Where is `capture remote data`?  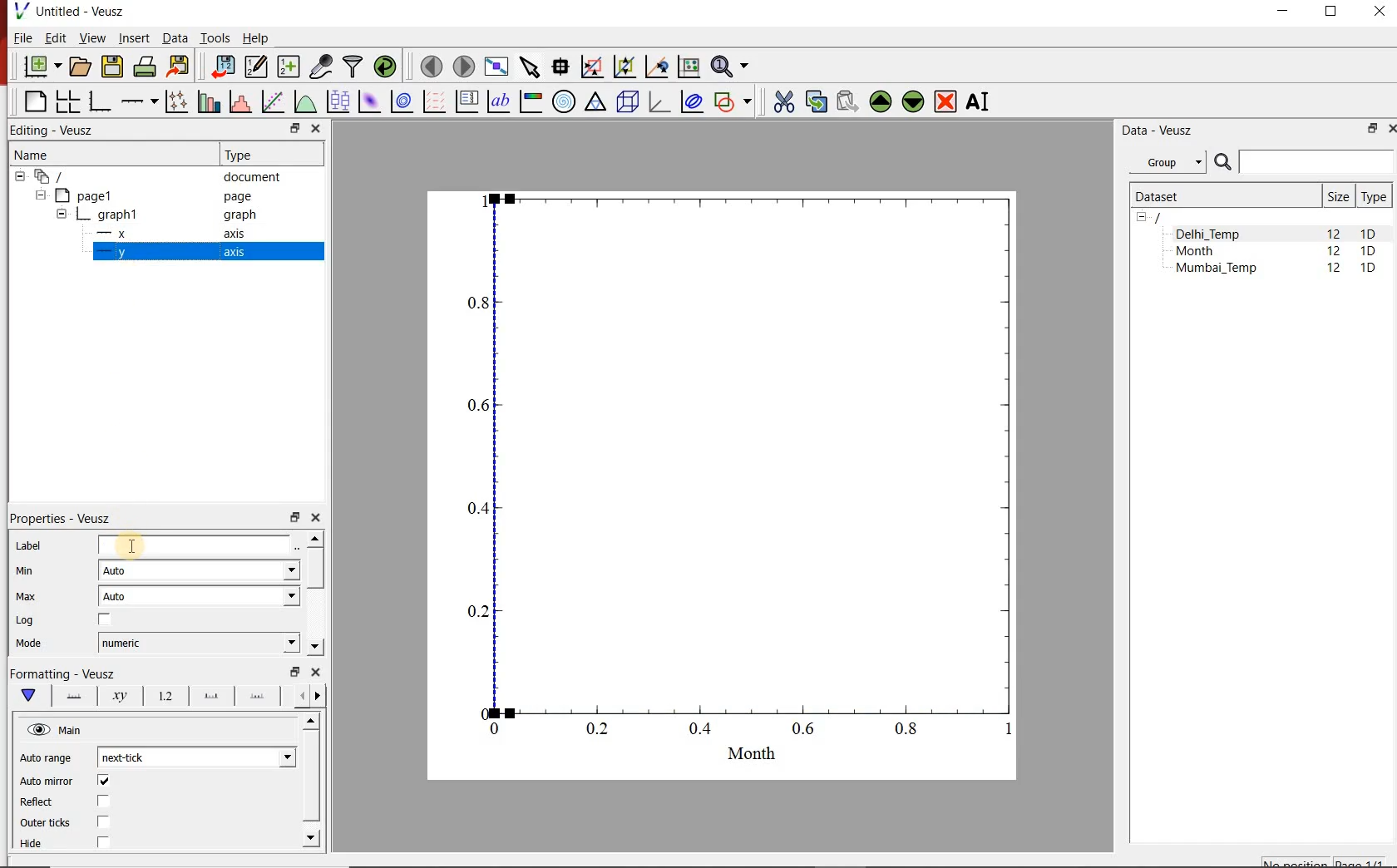
capture remote data is located at coordinates (322, 67).